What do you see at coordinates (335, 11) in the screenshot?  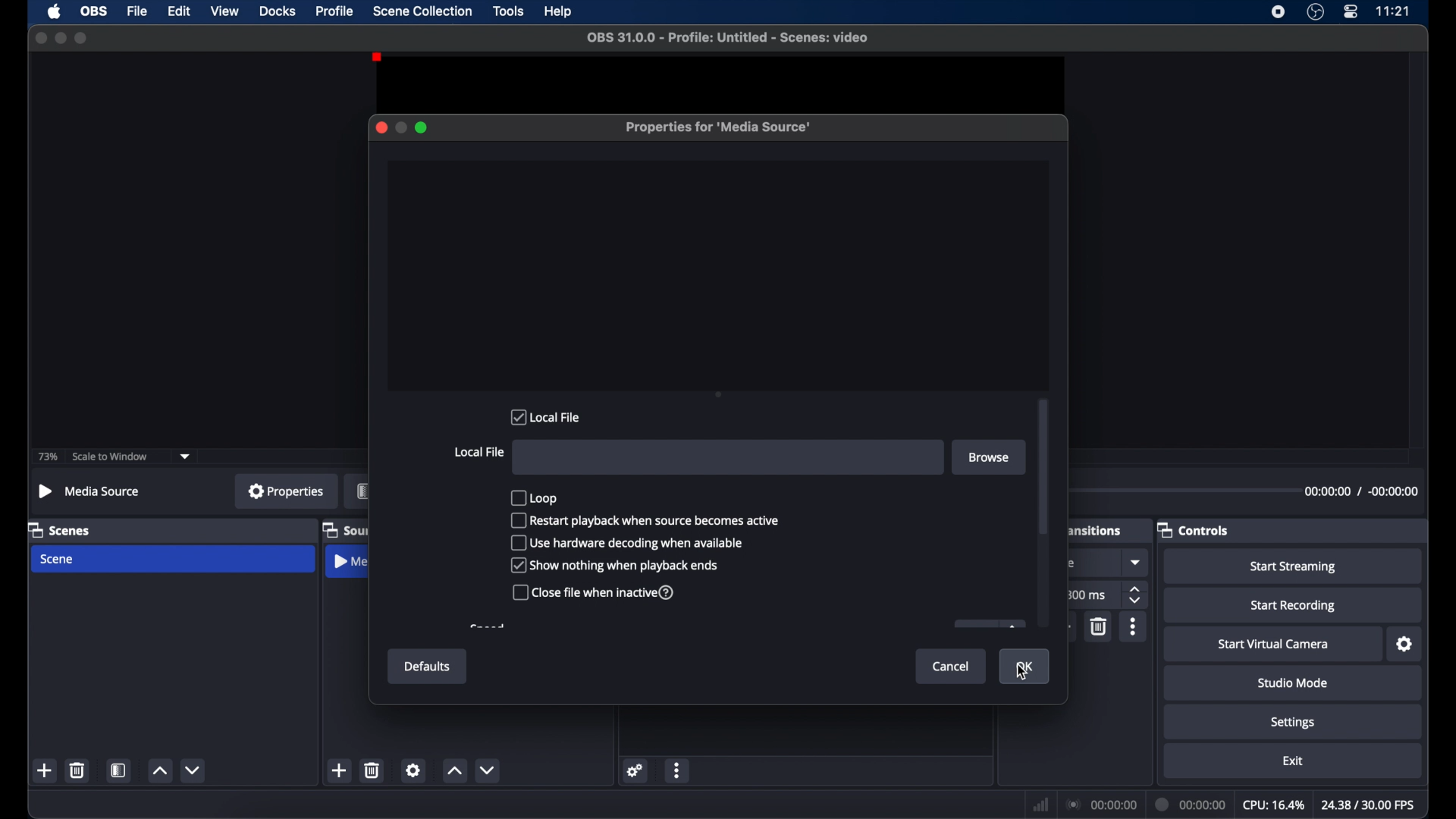 I see `profile` at bounding box center [335, 11].